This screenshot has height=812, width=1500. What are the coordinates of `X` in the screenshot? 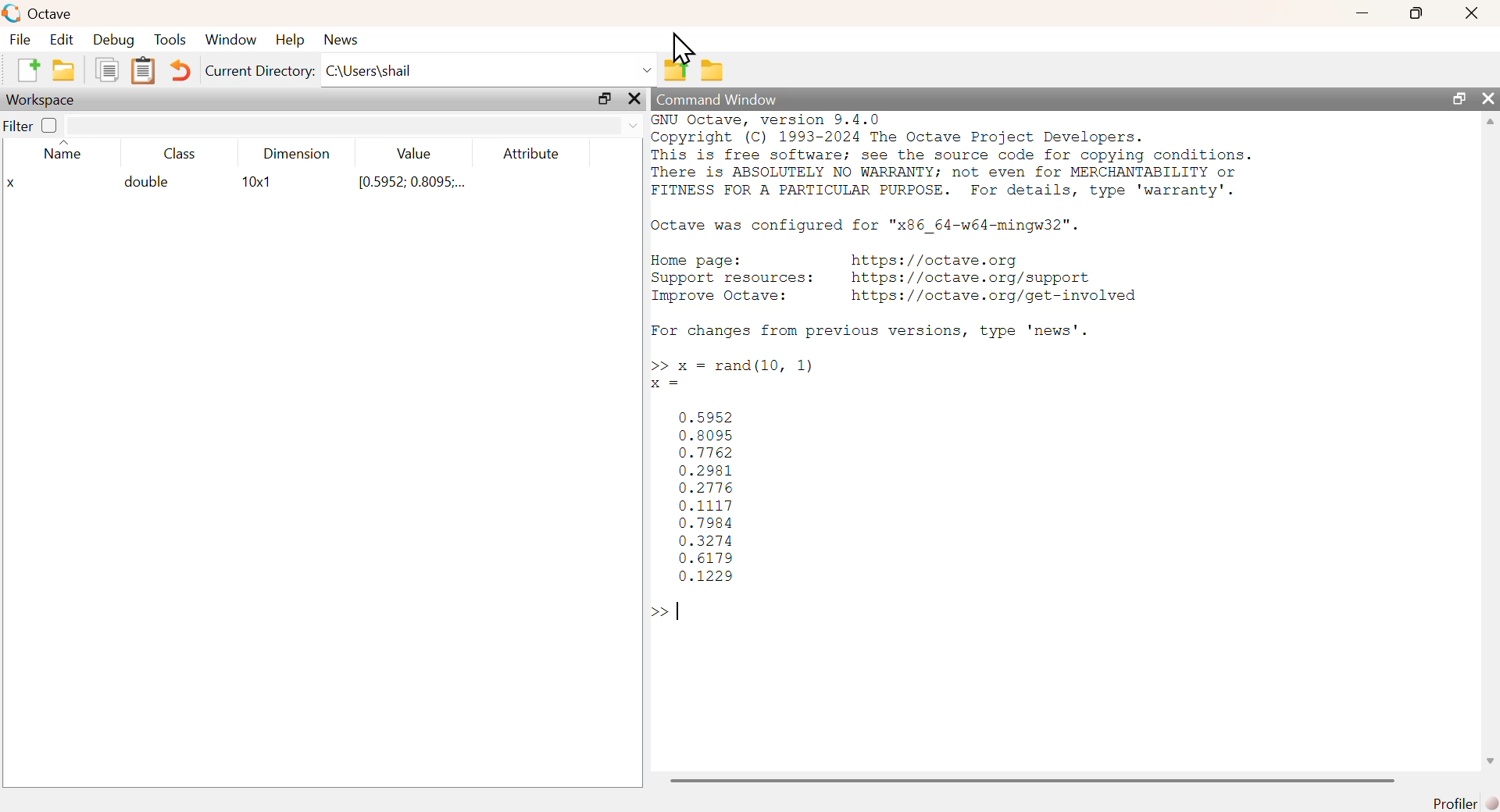 It's located at (12, 182).